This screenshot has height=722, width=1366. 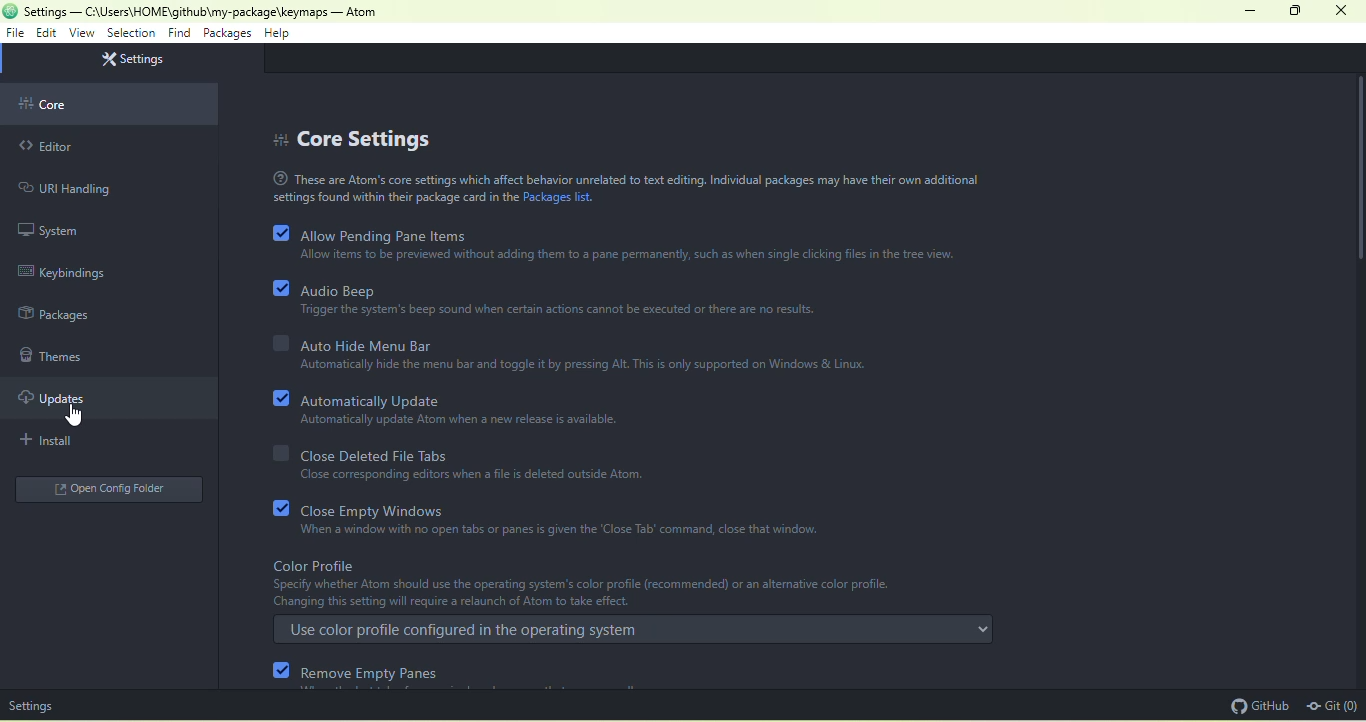 I want to click on vertical scroll bar, so click(x=1357, y=179).